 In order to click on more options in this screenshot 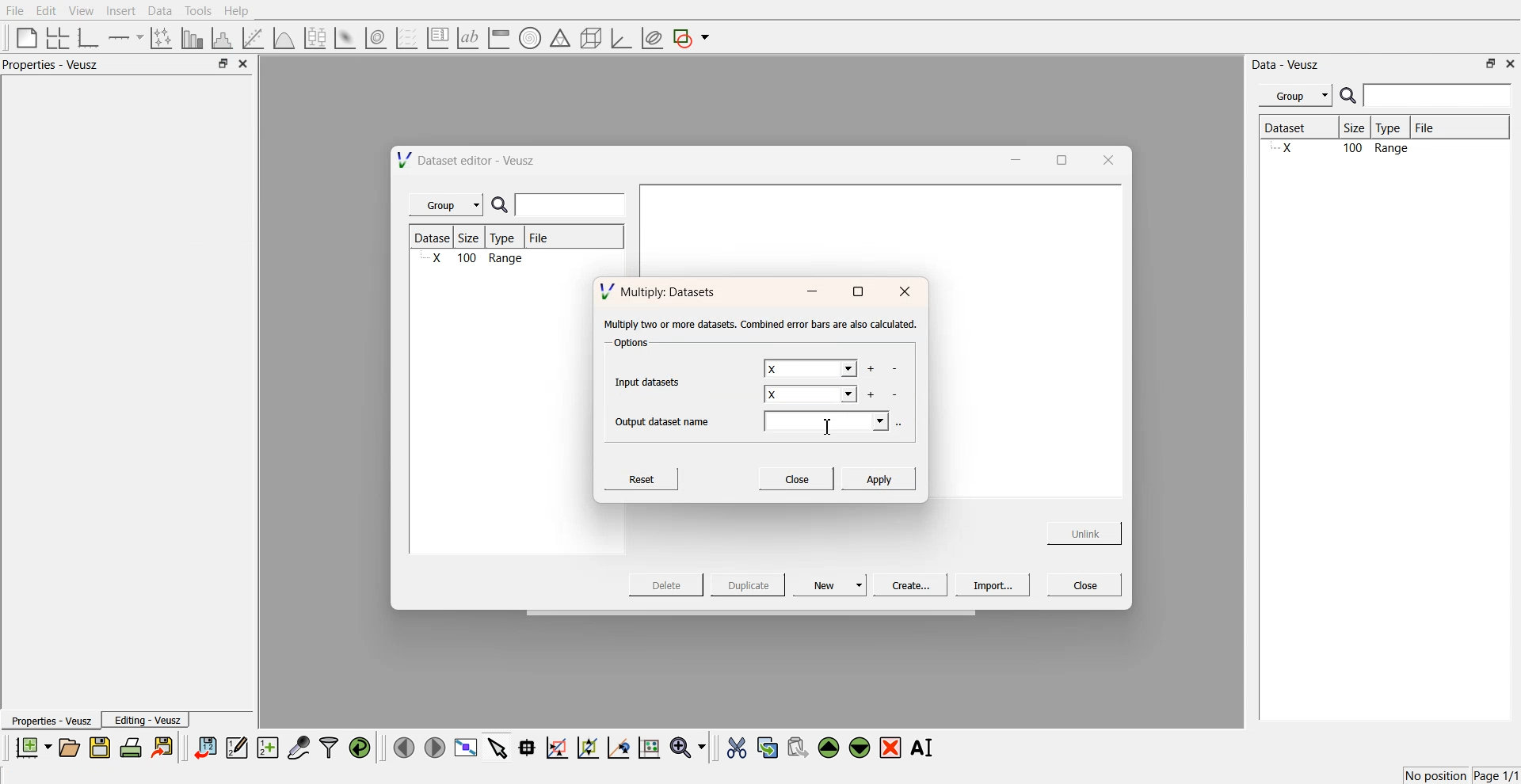, I will do `click(903, 423)`.